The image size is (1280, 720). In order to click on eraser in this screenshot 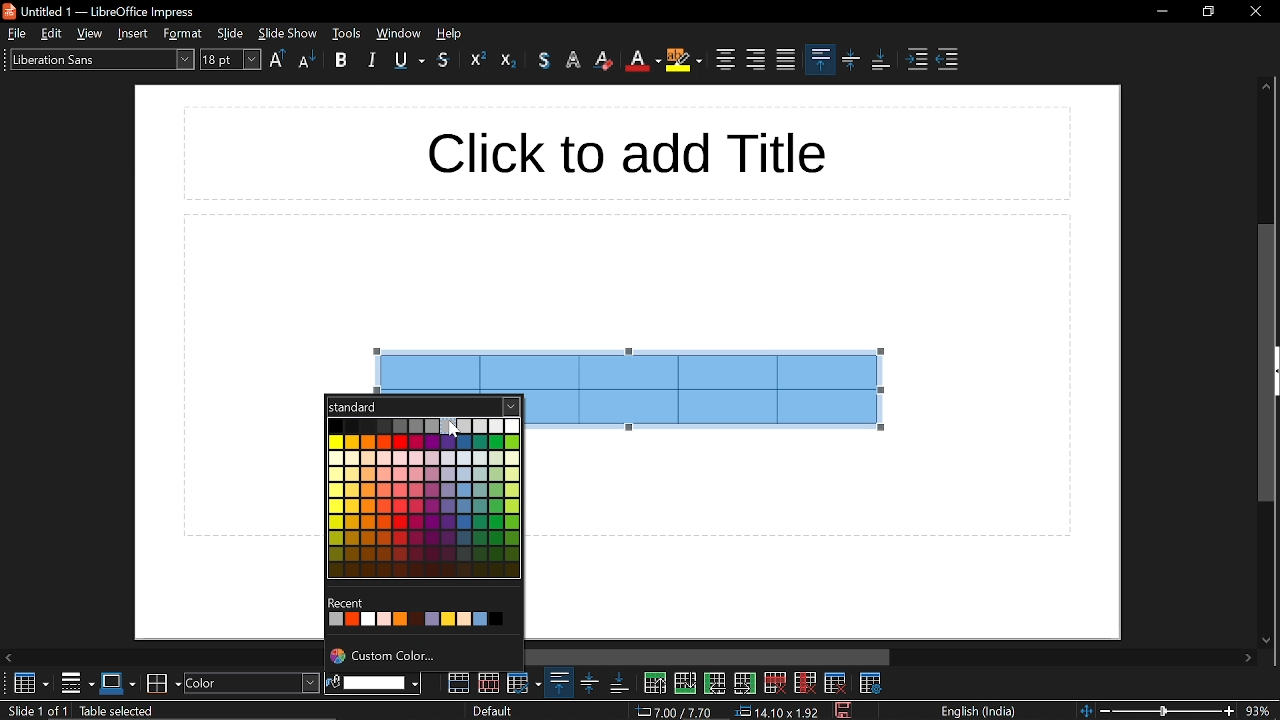, I will do `click(604, 62)`.